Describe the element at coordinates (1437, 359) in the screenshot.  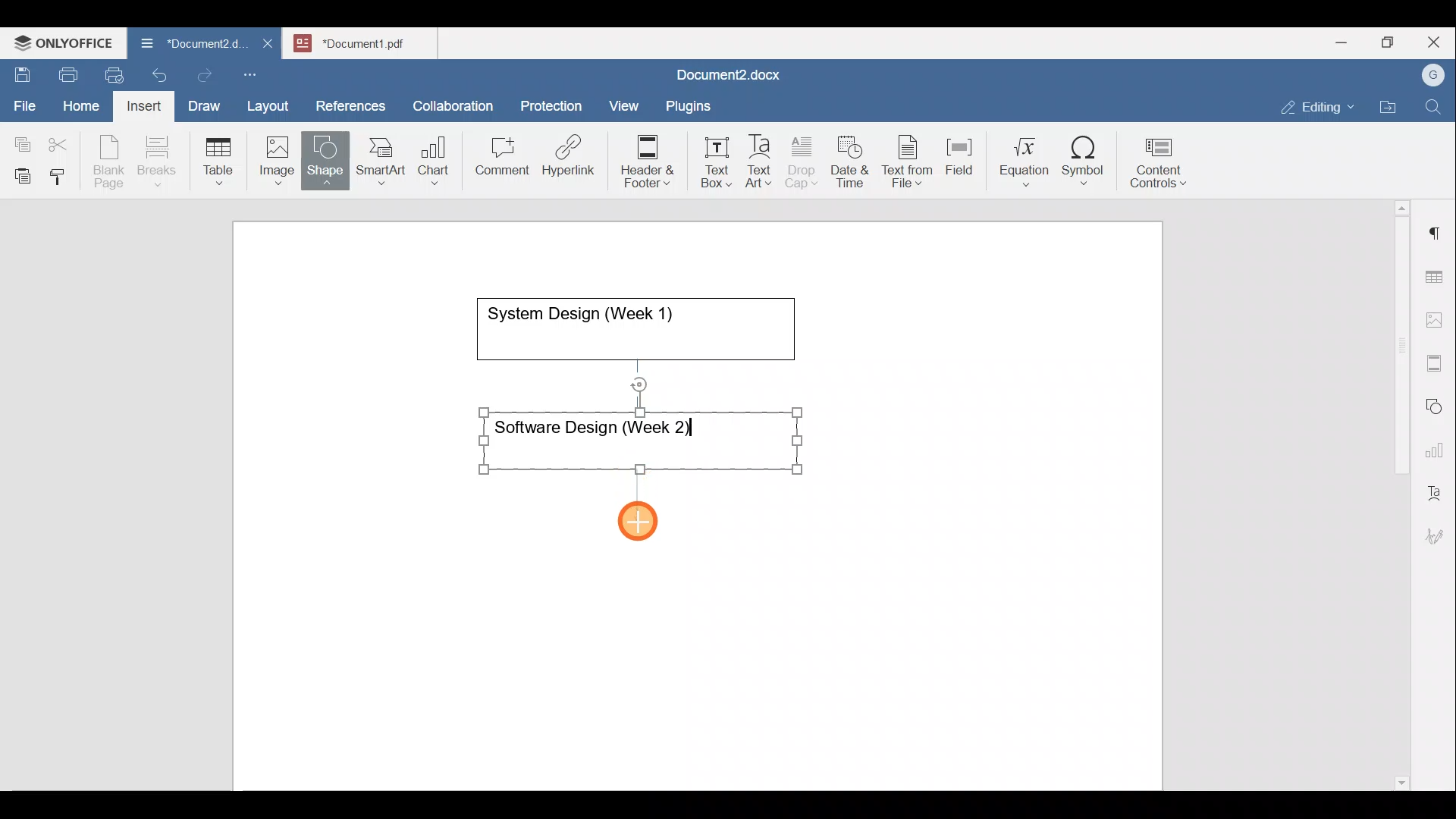
I see `Headers & footers` at that location.